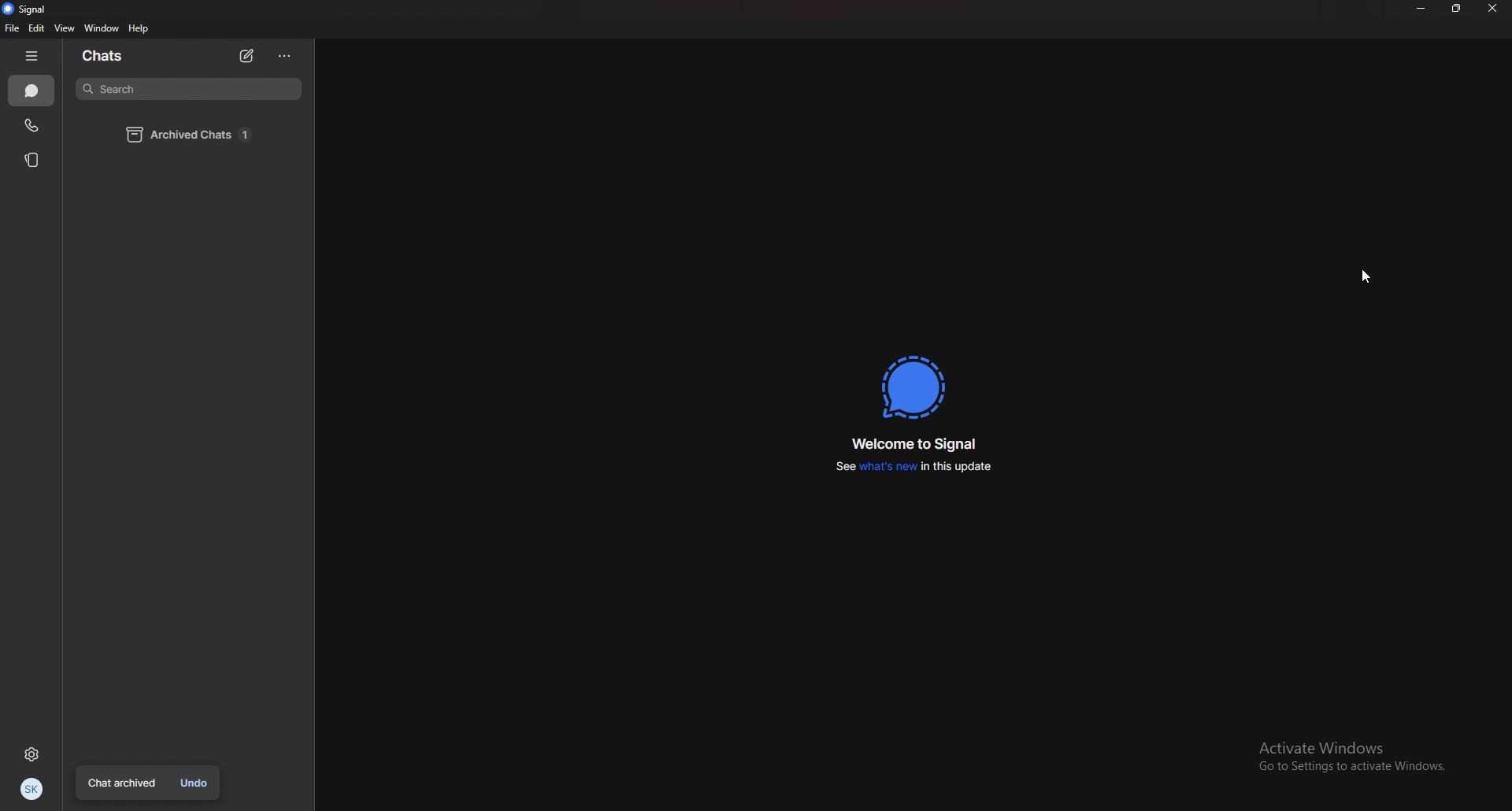  What do you see at coordinates (123, 783) in the screenshot?
I see `chat archived` at bounding box center [123, 783].